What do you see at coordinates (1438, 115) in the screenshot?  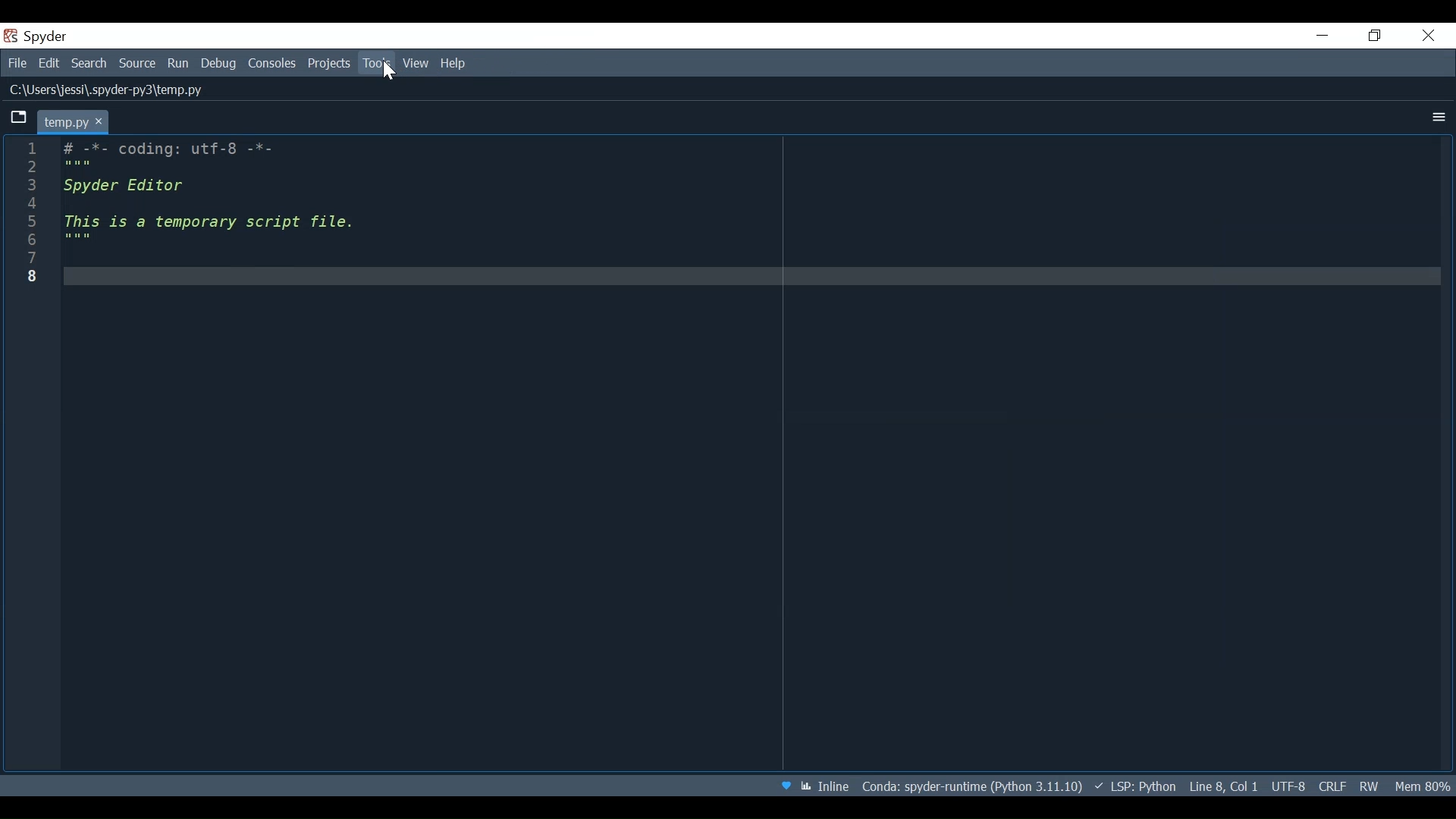 I see `More Options` at bounding box center [1438, 115].